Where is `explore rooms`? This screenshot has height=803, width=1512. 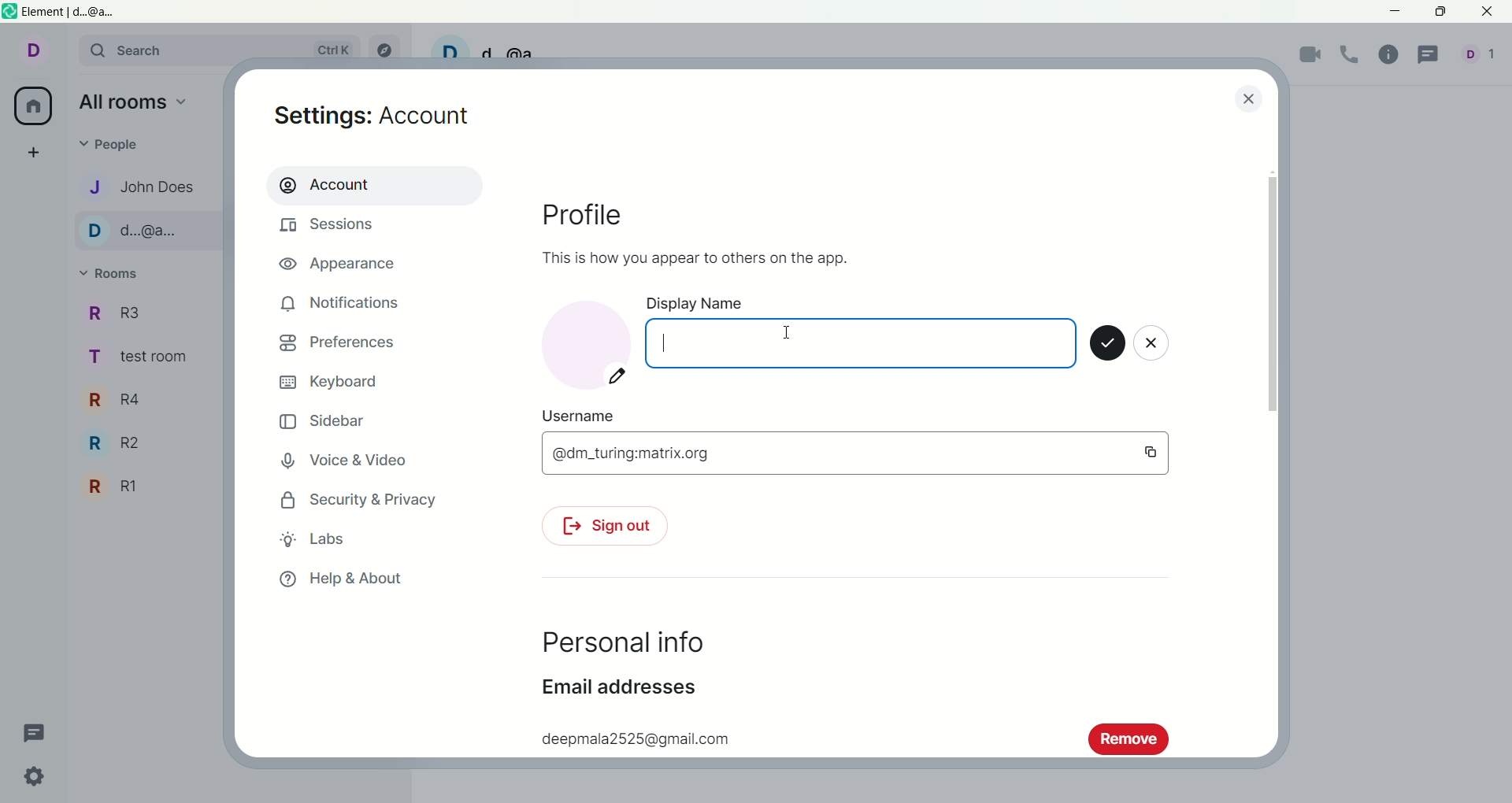
explore rooms is located at coordinates (389, 50).